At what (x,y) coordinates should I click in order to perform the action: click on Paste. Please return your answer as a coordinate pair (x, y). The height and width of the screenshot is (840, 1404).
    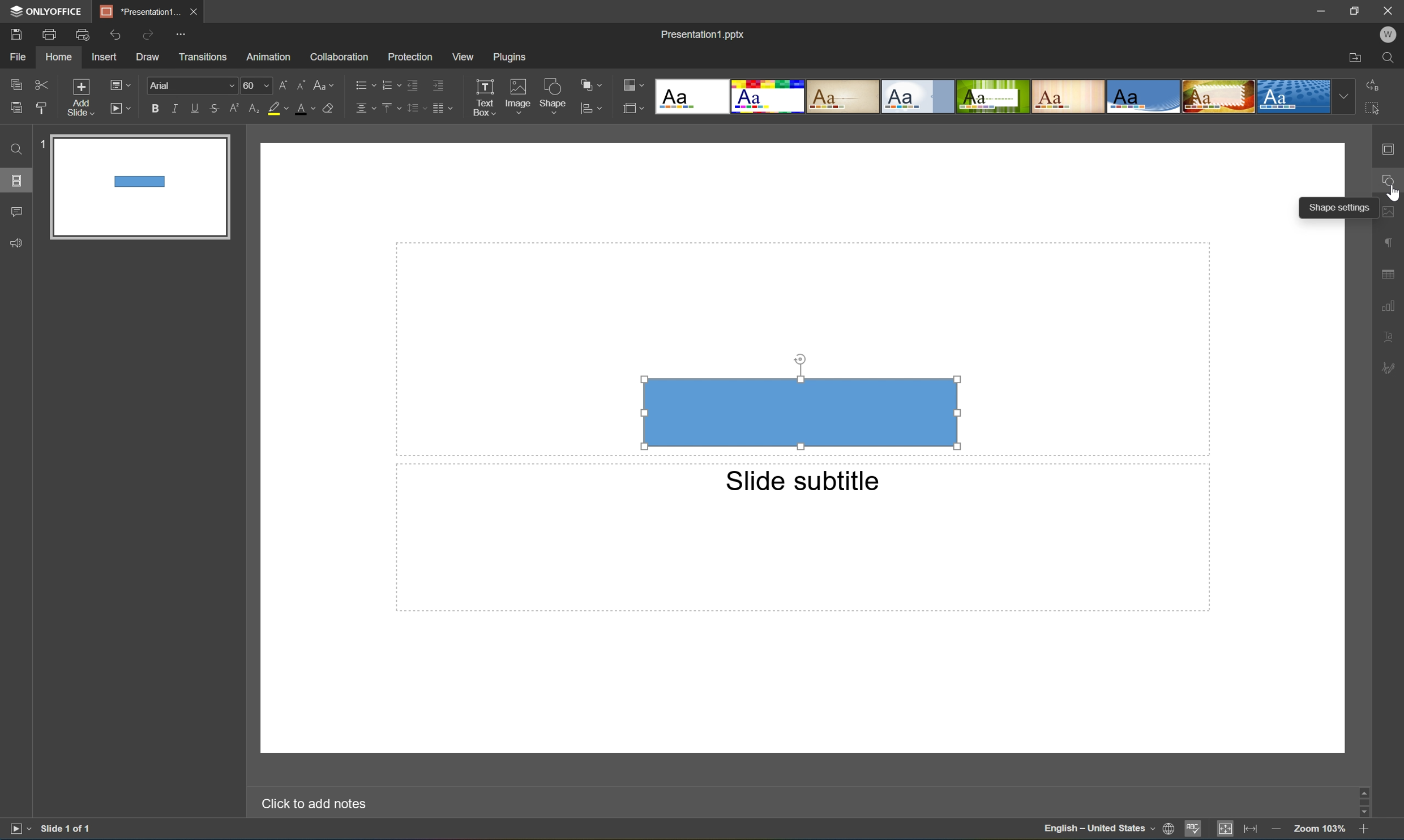
    Looking at the image, I should click on (16, 109).